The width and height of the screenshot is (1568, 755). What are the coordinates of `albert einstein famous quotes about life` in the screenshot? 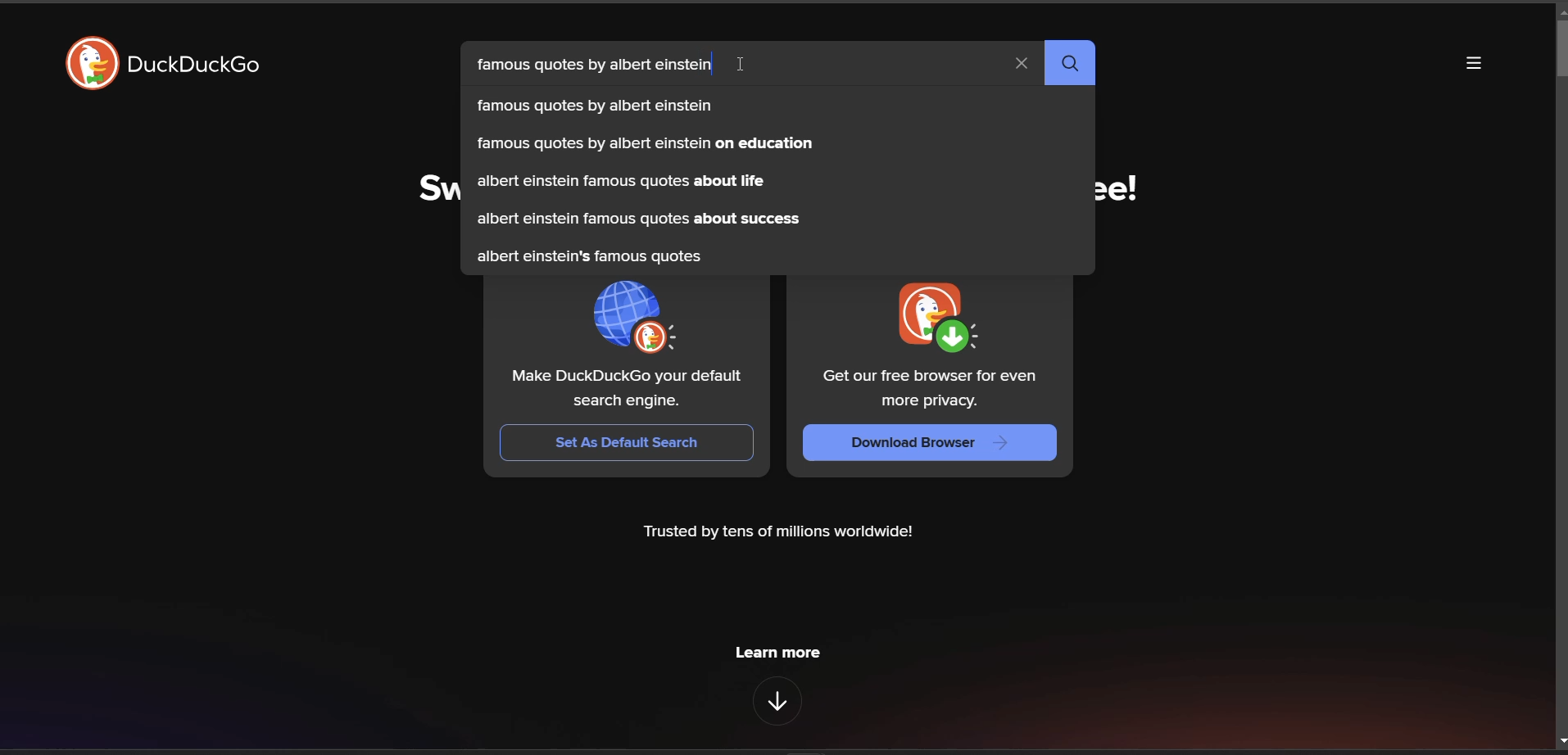 It's located at (619, 179).